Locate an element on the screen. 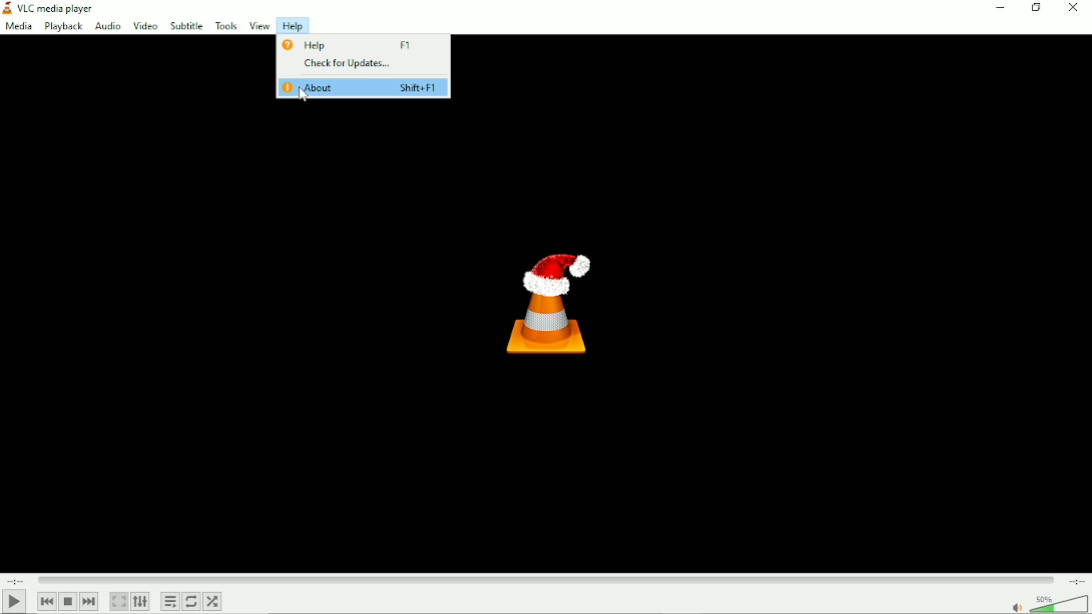 The width and height of the screenshot is (1092, 614). Audio is located at coordinates (108, 27).